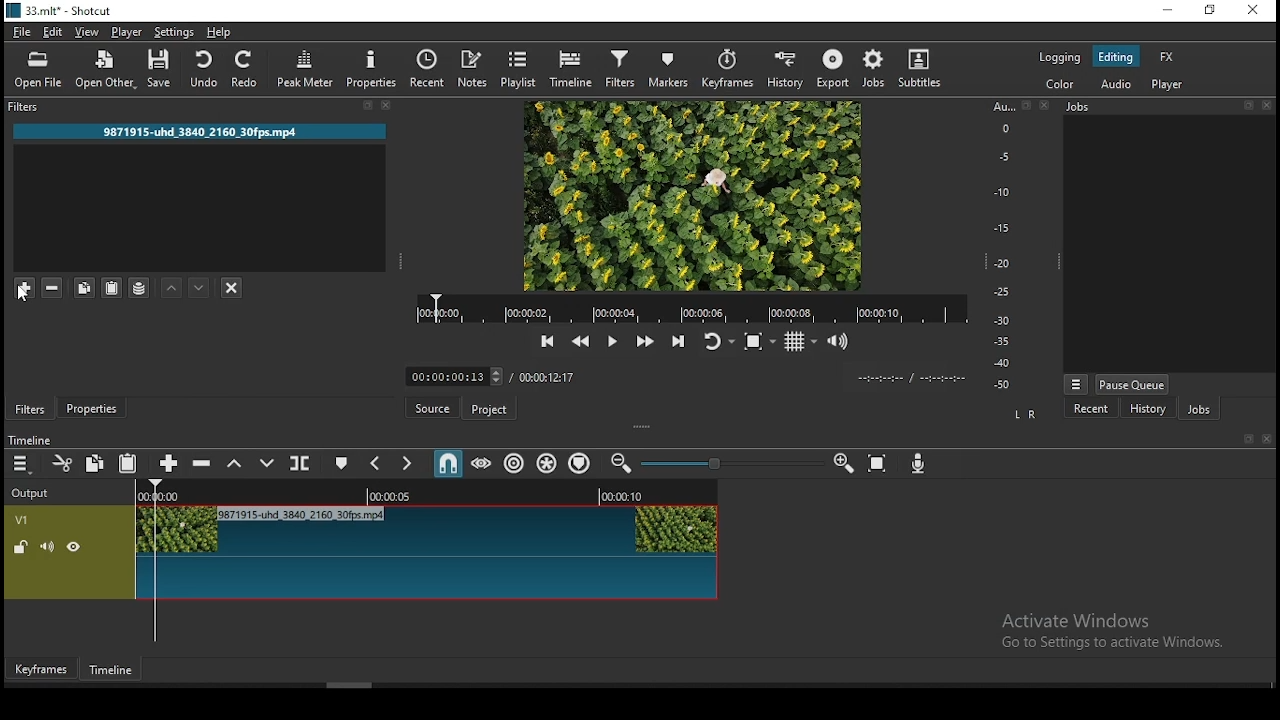 The width and height of the screenshot is (1280, 720). Describe the element at coordinates (173, 288) in the screenshot. I see `move filter up` at that location.